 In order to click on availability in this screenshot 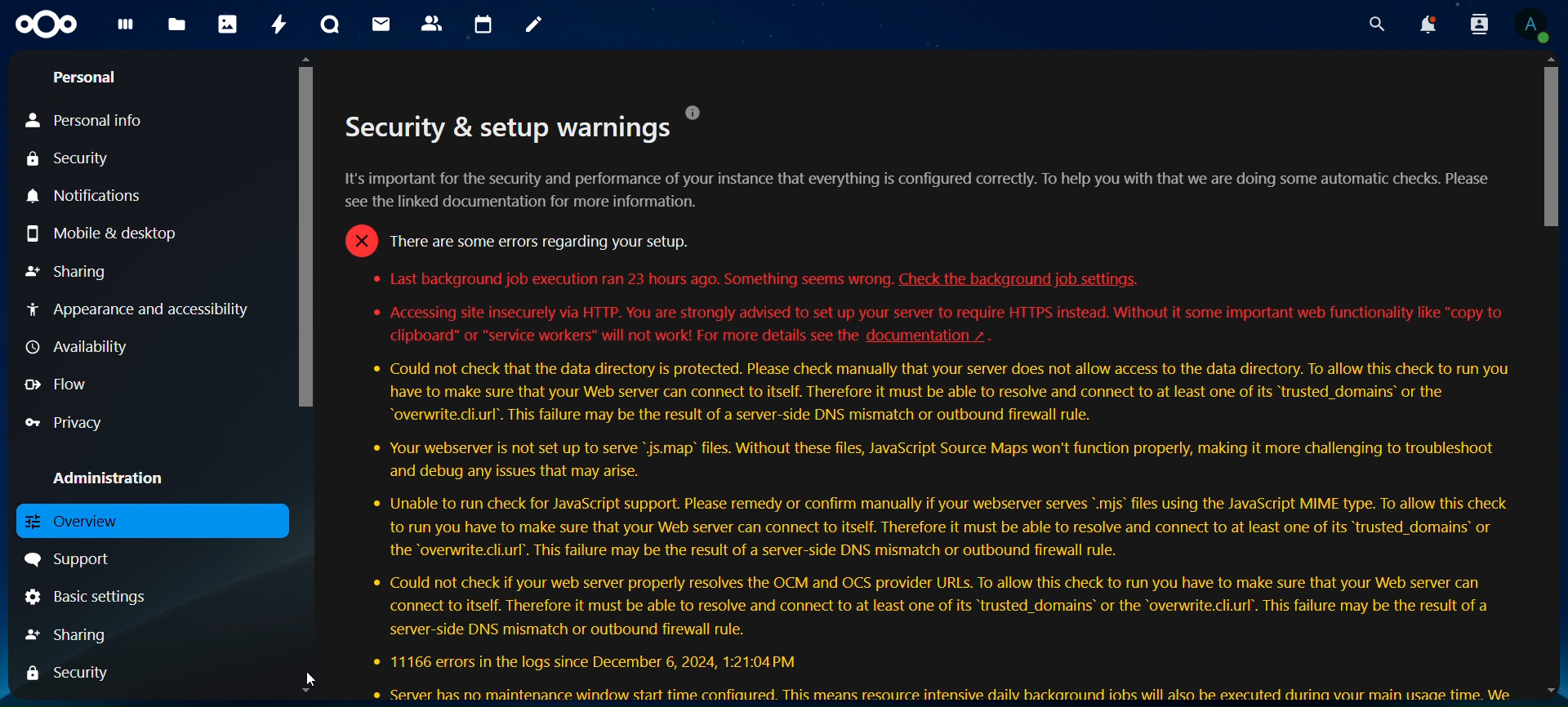, I will do `click(83, 347)`.